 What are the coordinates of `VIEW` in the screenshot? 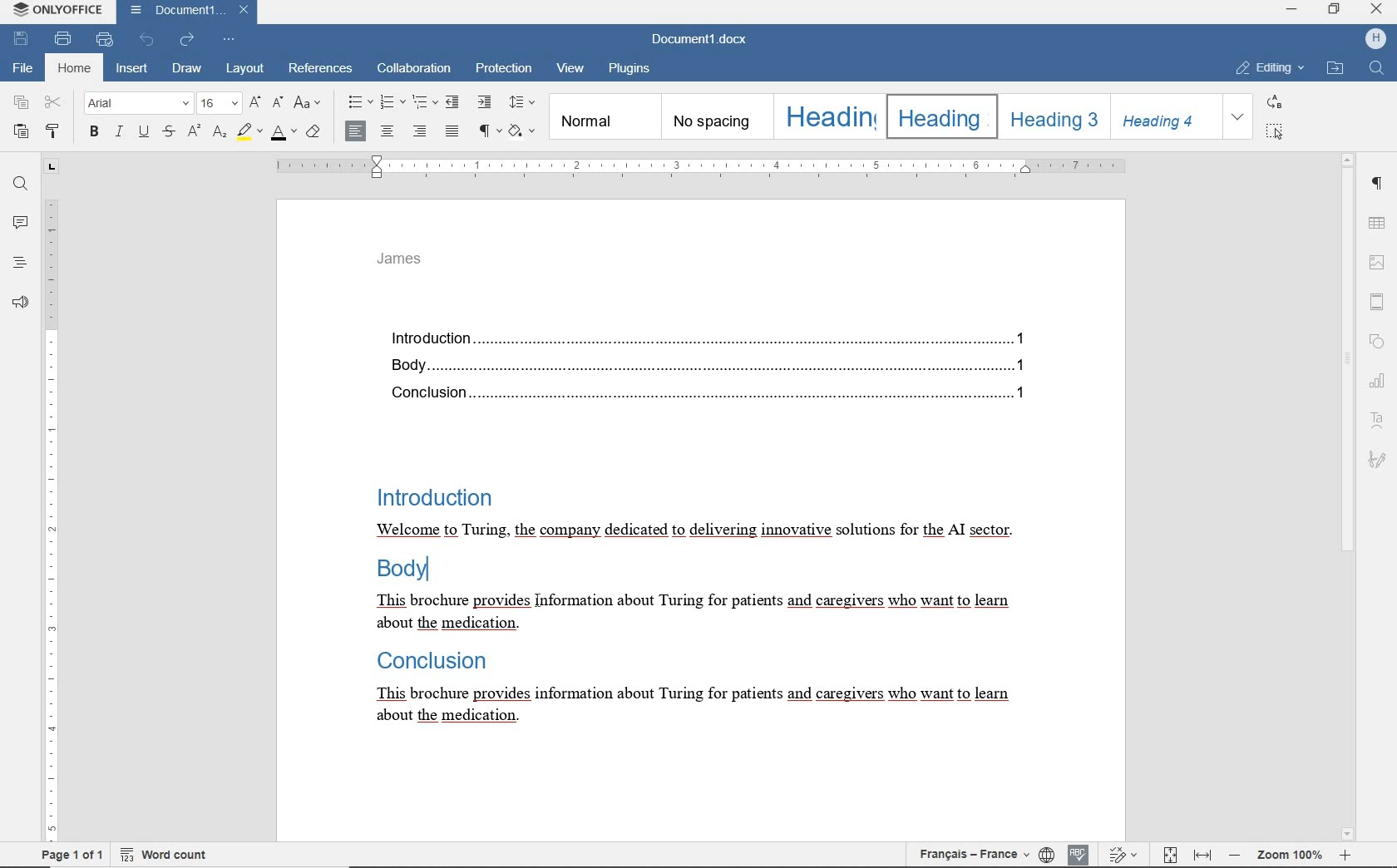 It's located at (570, 72).